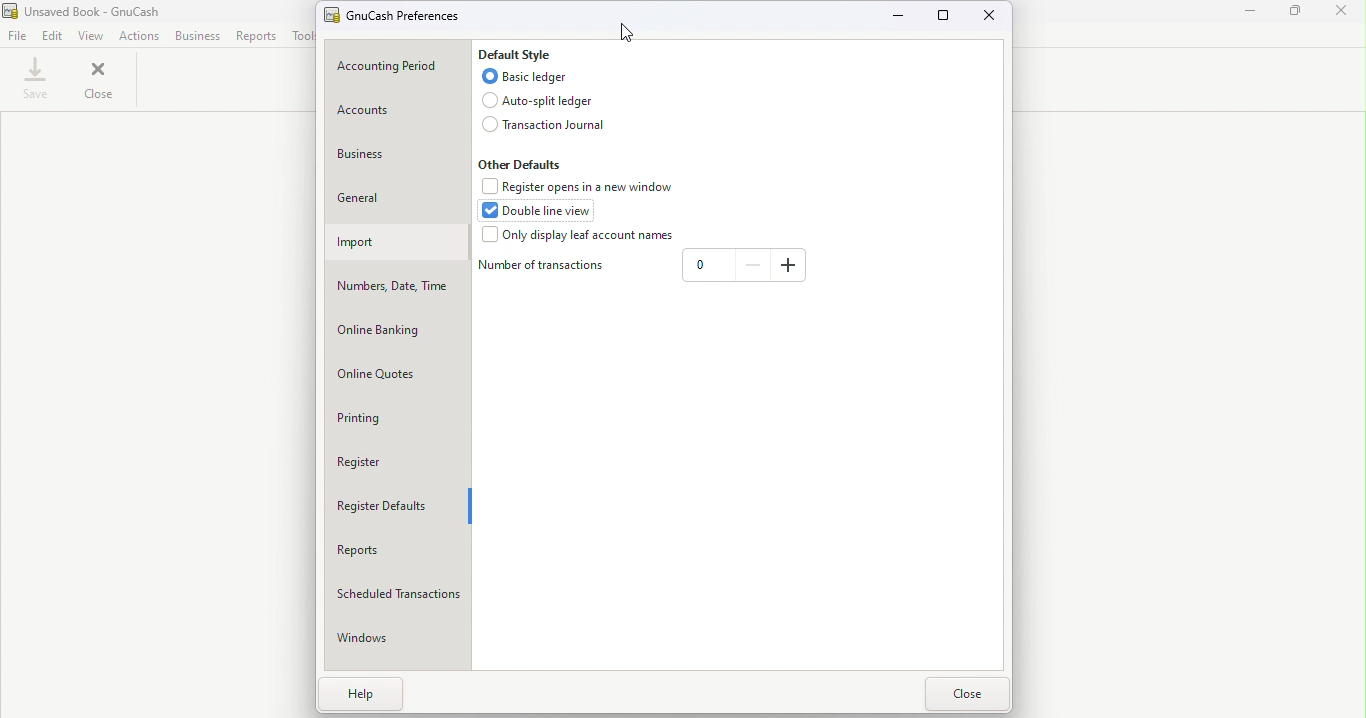 Image resolution: width=1366 pixels, height=718 pixels. What do you see at coordinates (752, 266) in the screenshot?
I see `Decrease` at bounding box center [752, 266].